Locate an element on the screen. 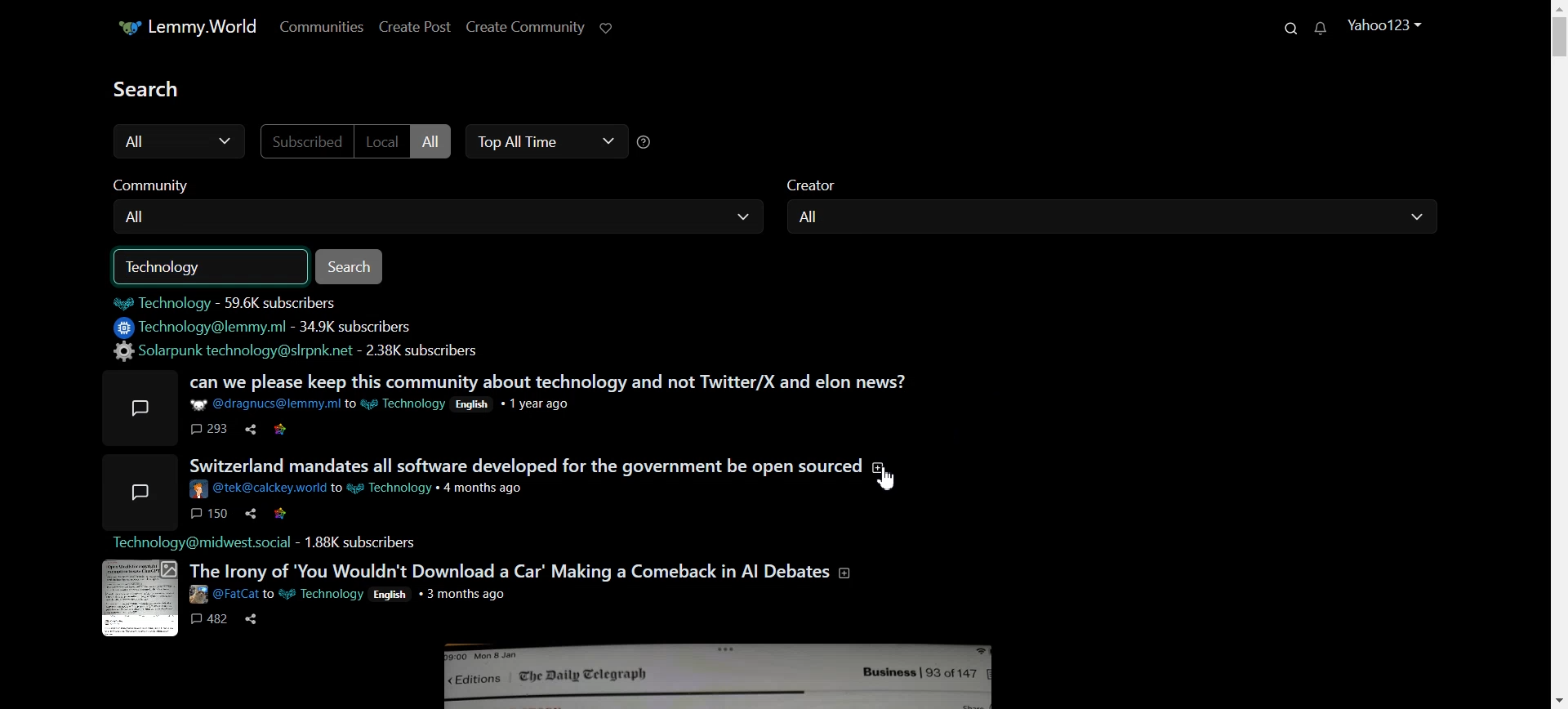 The height and width of the screenshot is (709, 1568). Switzerland mandates all software developed for the government be open sourced  is located at coordinates (535, 466).